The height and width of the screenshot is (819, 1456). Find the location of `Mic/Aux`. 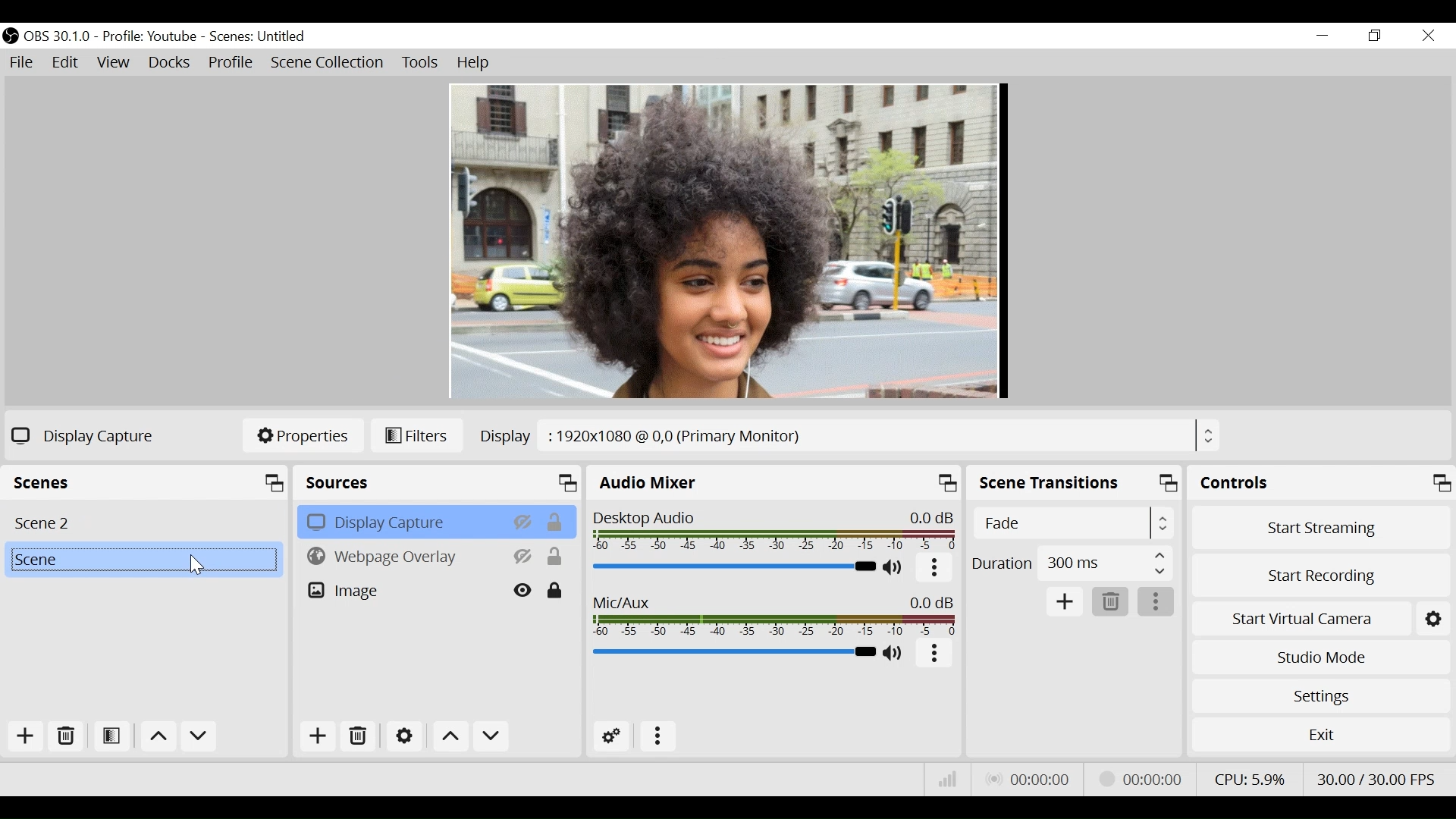

Mic/Aux is located at coordinates (732, 652).